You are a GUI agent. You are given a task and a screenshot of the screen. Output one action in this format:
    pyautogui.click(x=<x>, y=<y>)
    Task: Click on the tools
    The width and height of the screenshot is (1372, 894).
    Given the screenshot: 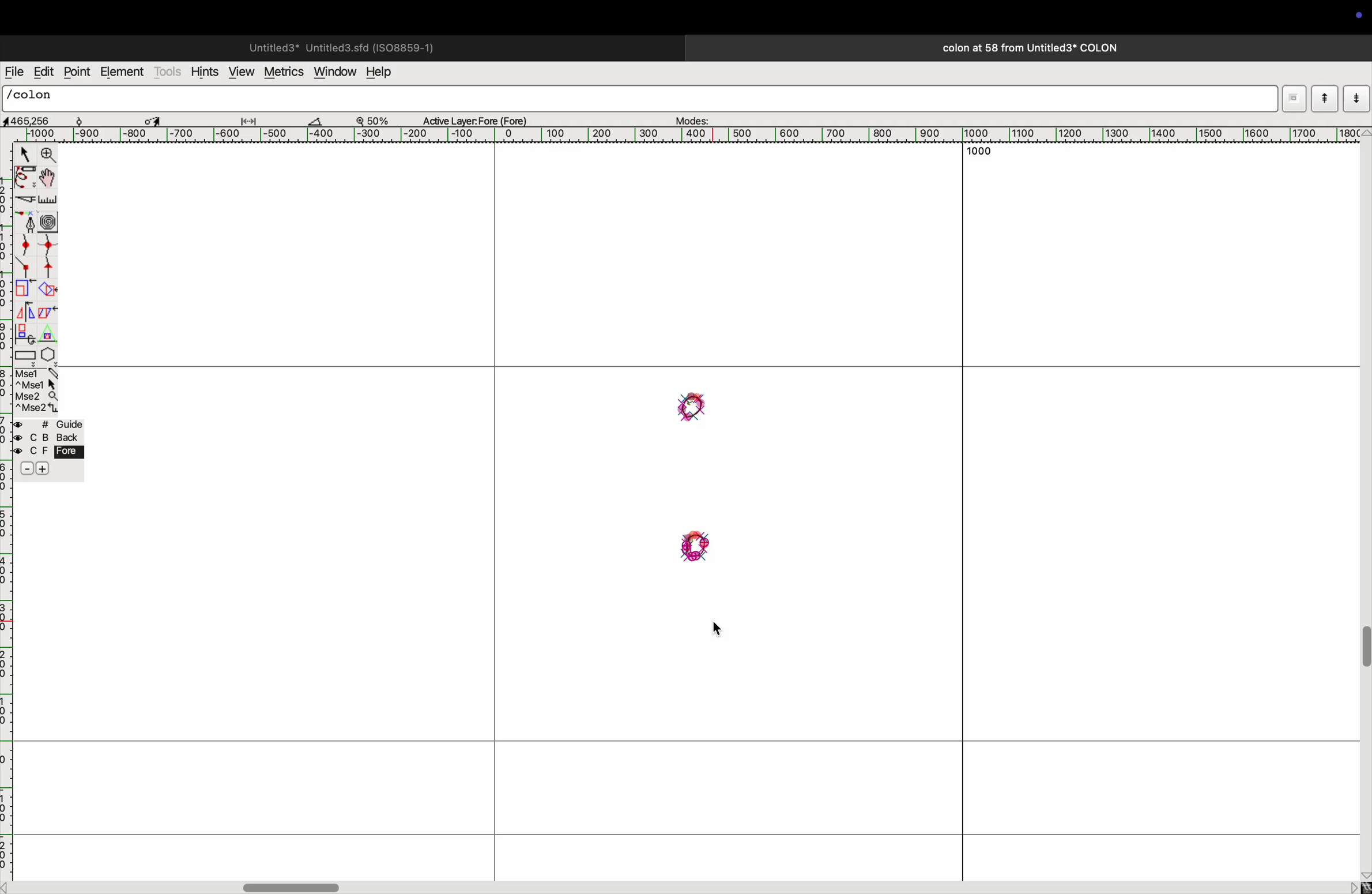 What is the action you would take?
    pyautogui.click(x=168, y=72)
    